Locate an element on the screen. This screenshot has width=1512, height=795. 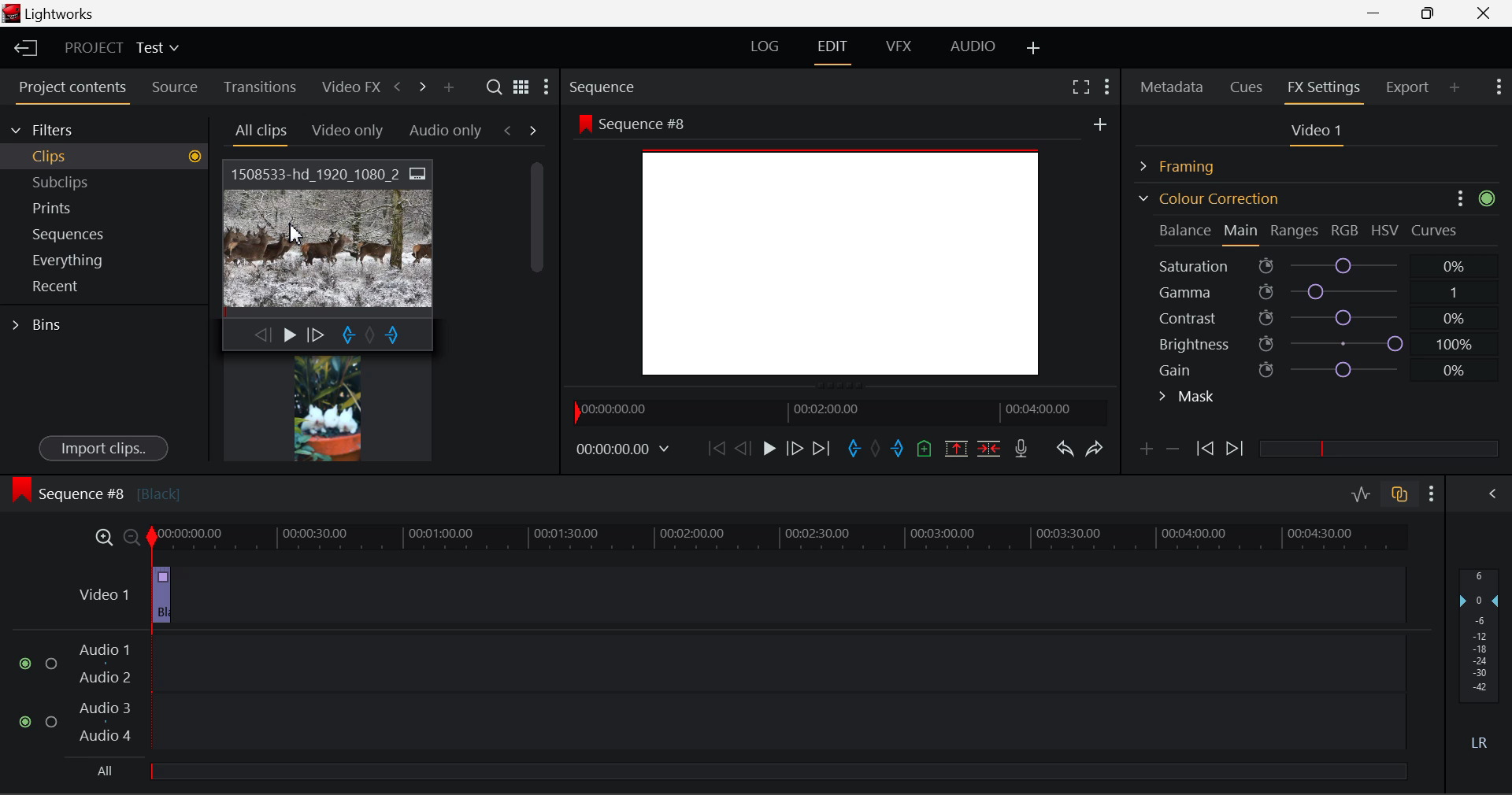
Gamma is located at coordinates (1320, 292).